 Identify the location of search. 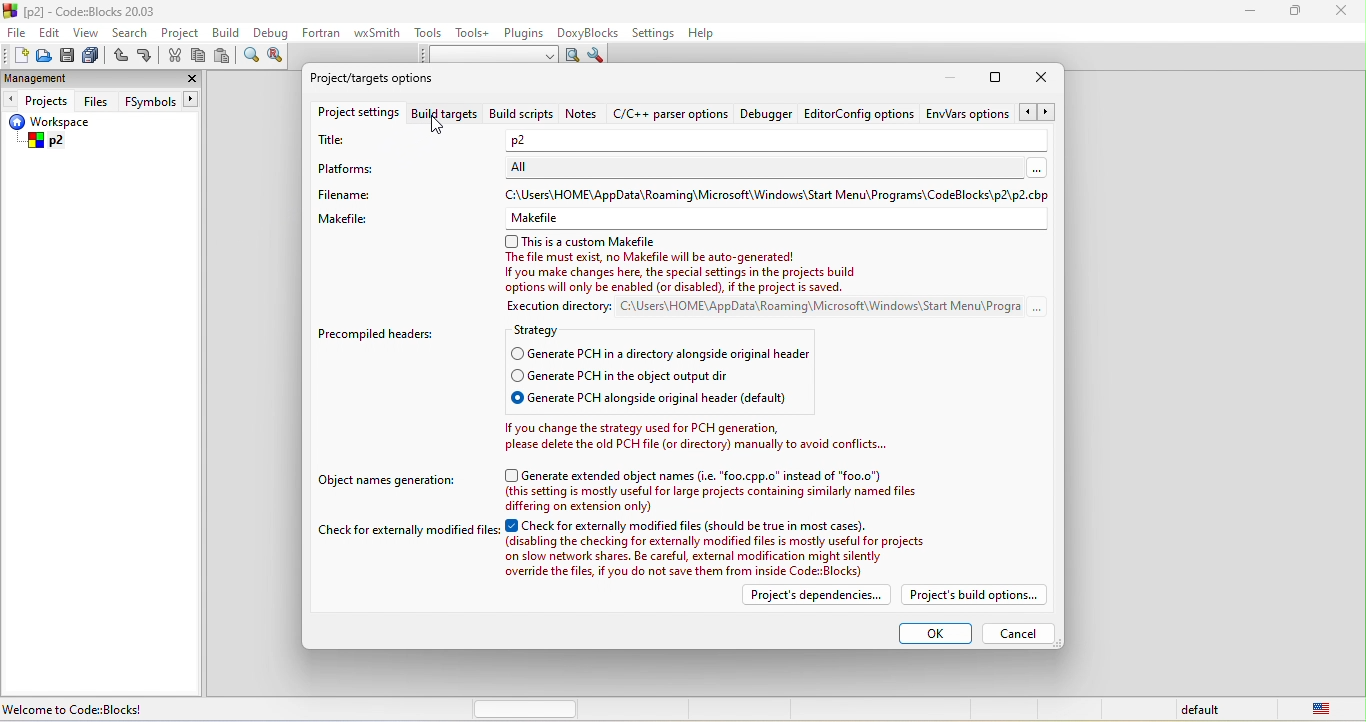
(130, 31).